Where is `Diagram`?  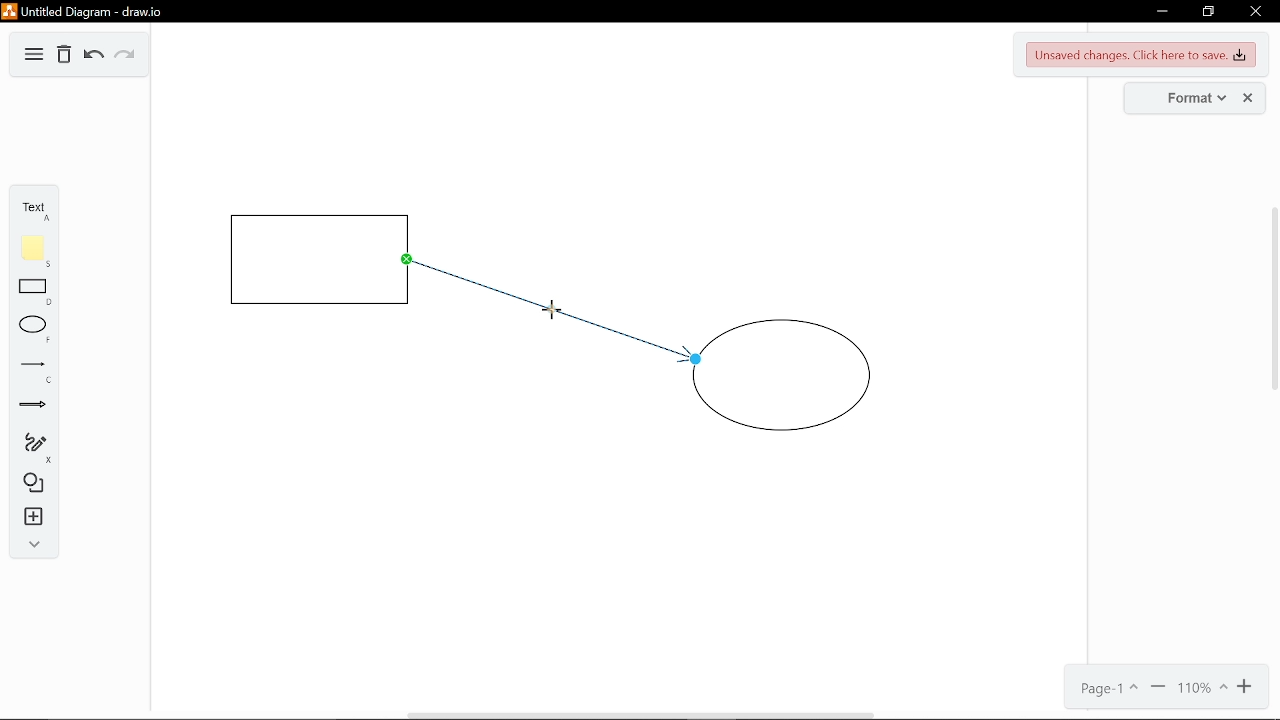 Diagram is located at coordinates (31, 56).